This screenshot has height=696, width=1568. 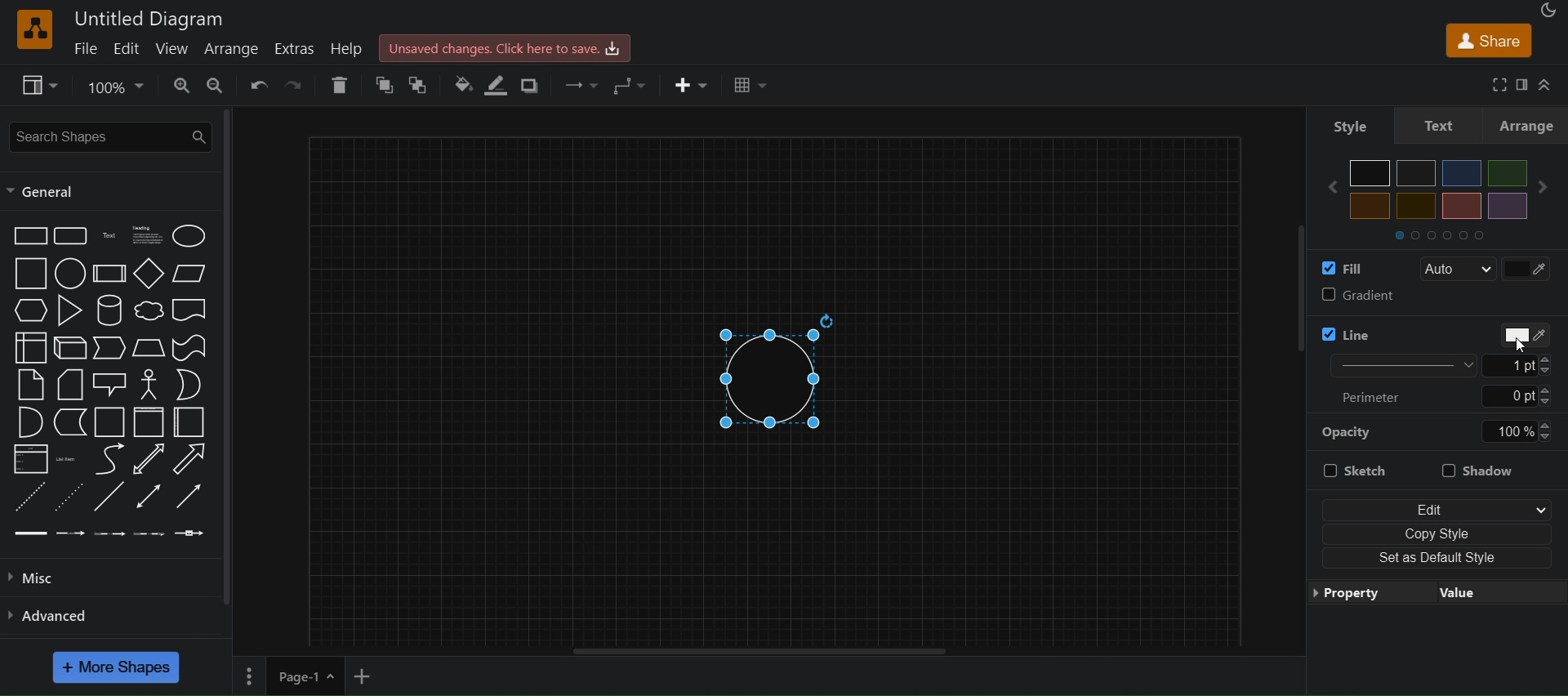 What do you see at coordinates (1506, 205) in the screenshot?
I see `purple color` at bounding box center [1506, 205].